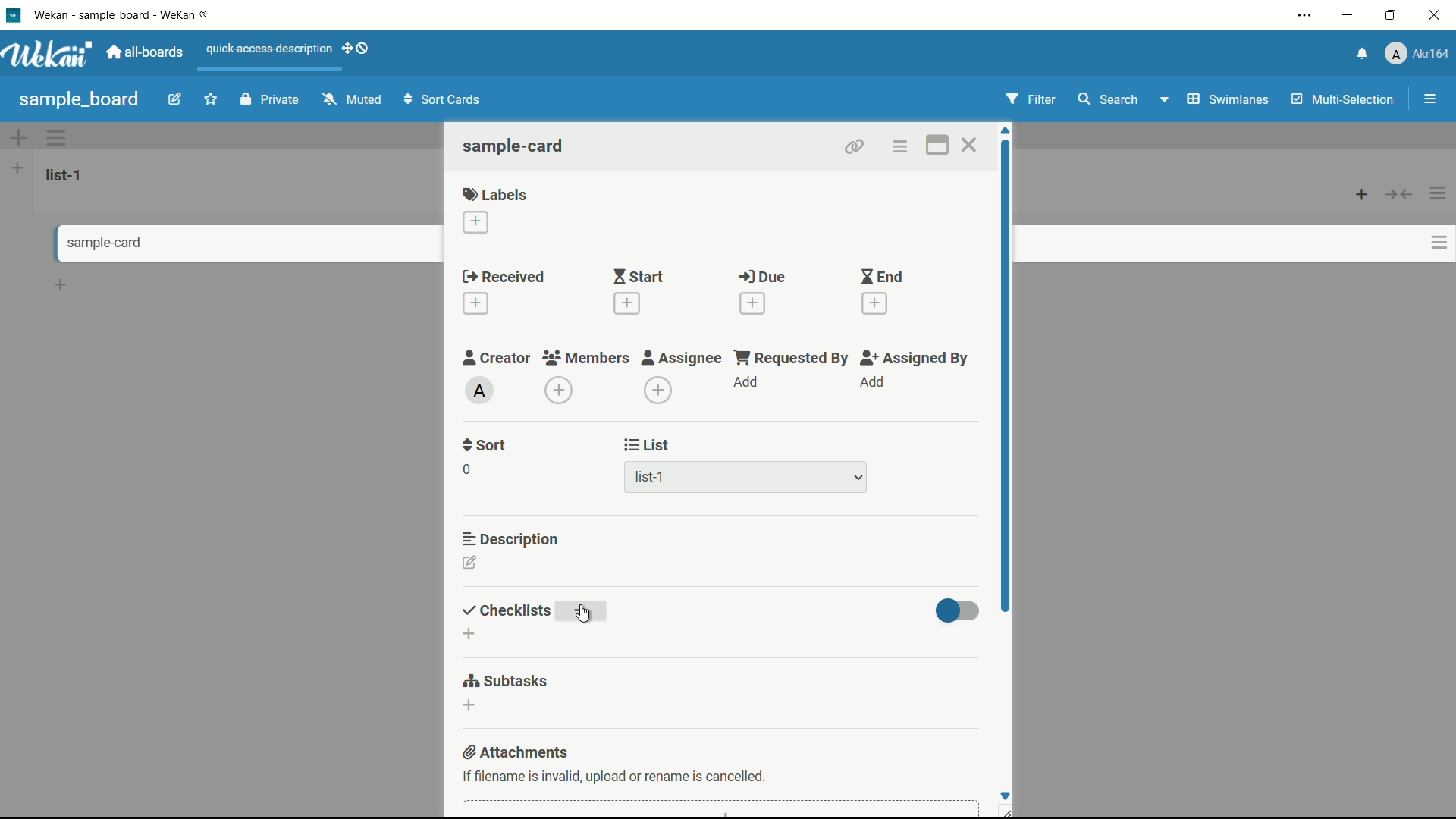  What do you see at coordinates (480, 391) in the screenshot?
I see `admin` at bounding box center [480, 391].